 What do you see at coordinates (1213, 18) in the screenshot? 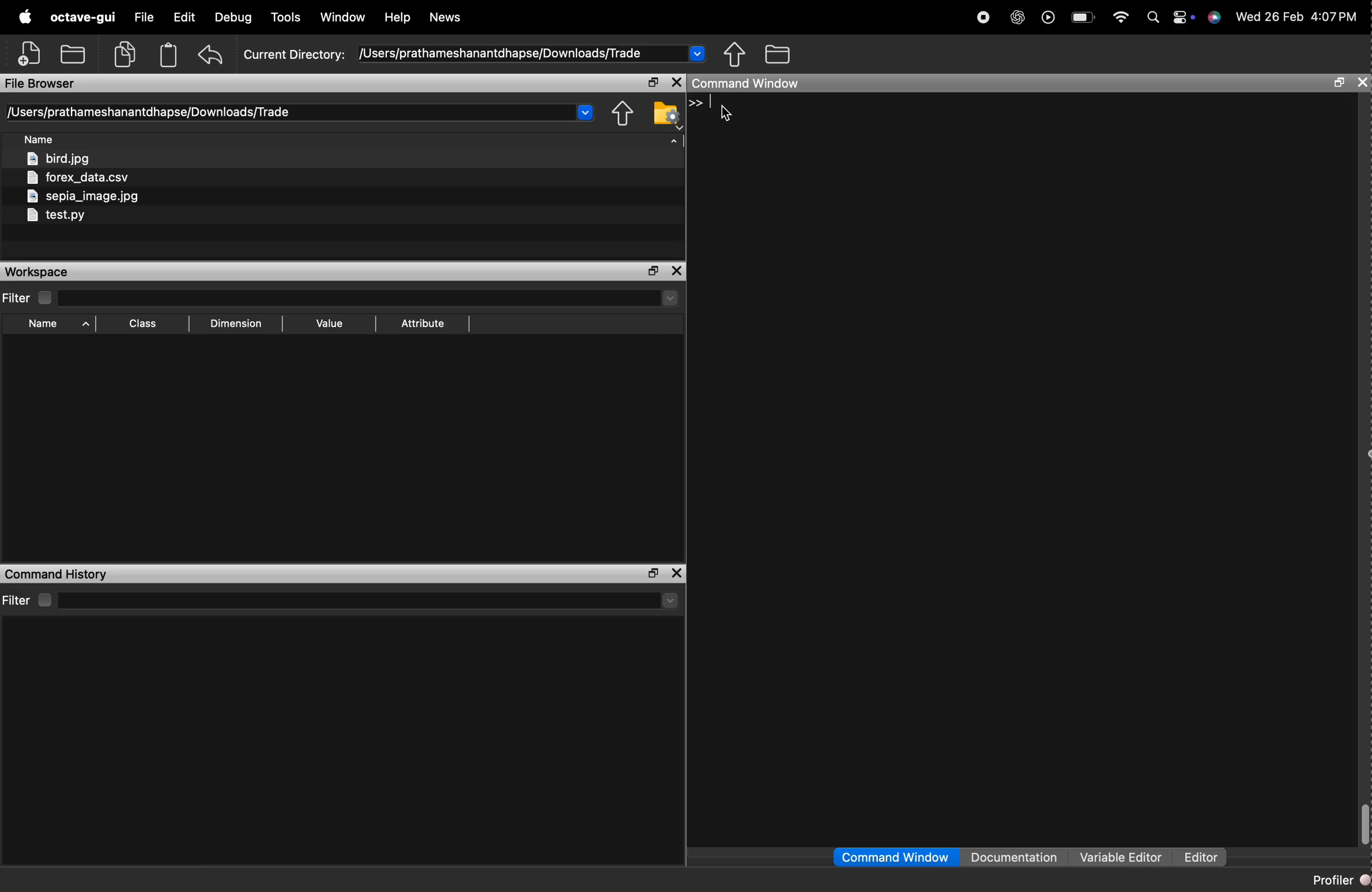
I see `support` at bounding box center [1213, 18].